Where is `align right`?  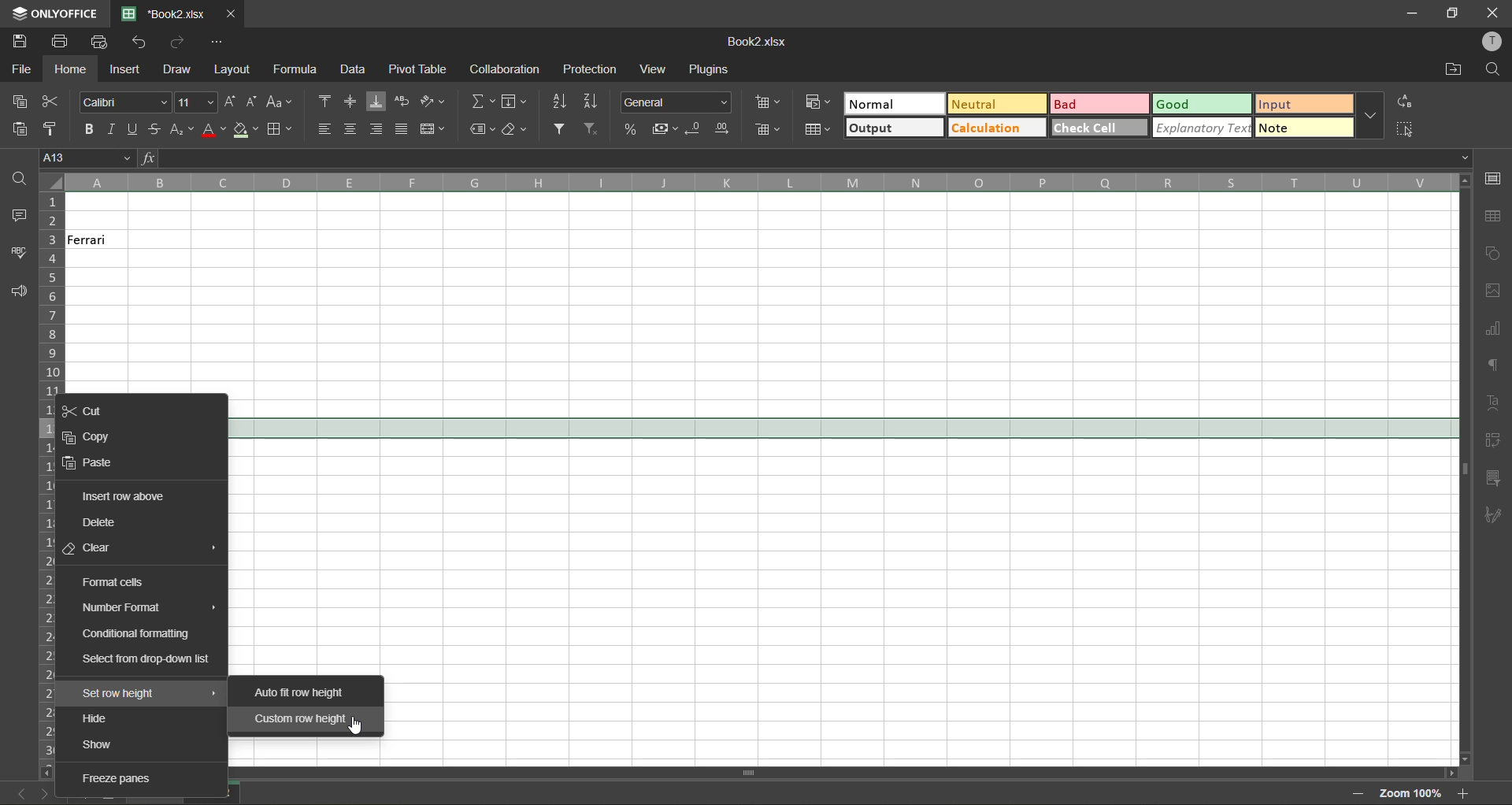 align right is located at coordinates (379, 128).